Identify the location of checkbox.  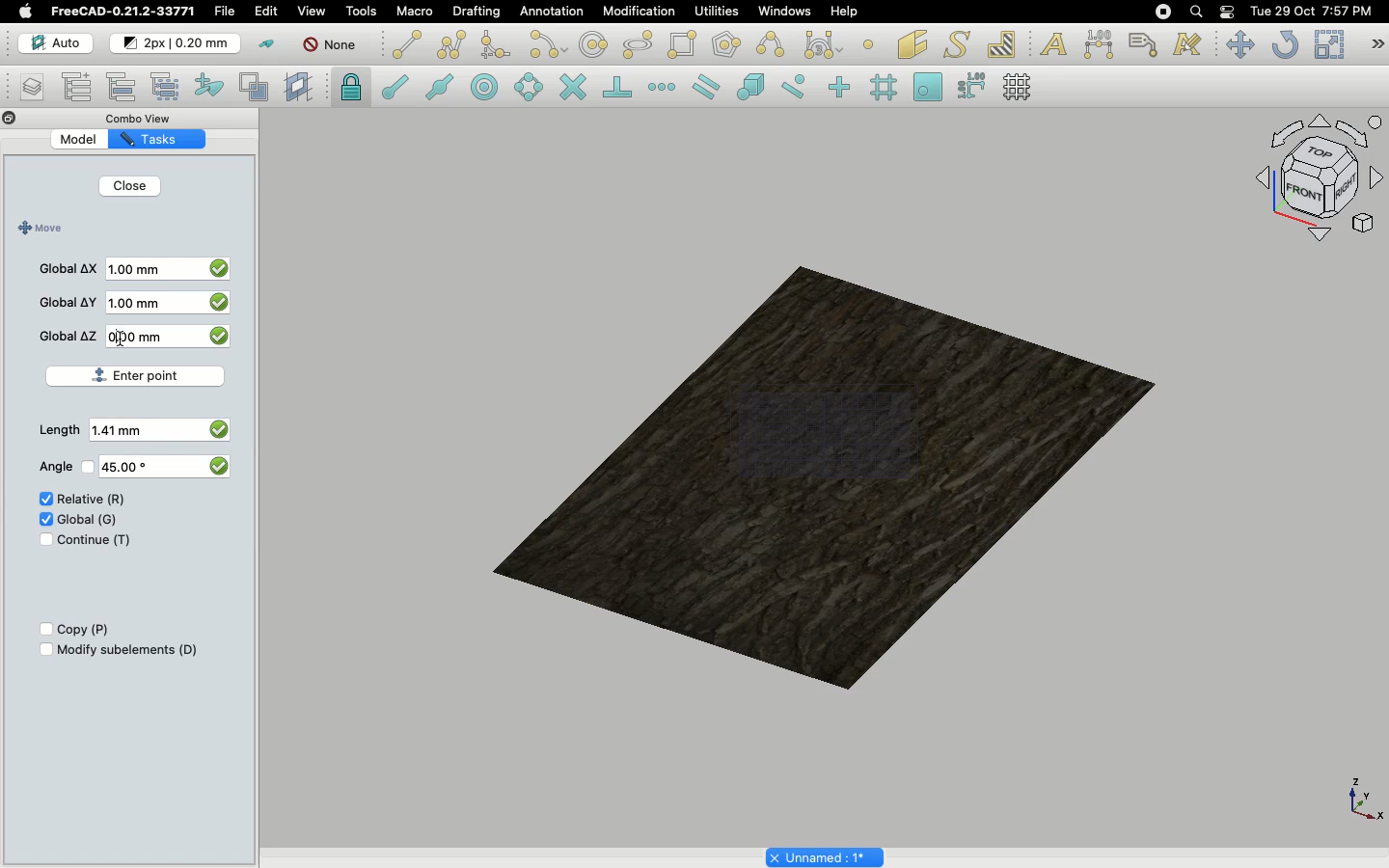
(217, 427).